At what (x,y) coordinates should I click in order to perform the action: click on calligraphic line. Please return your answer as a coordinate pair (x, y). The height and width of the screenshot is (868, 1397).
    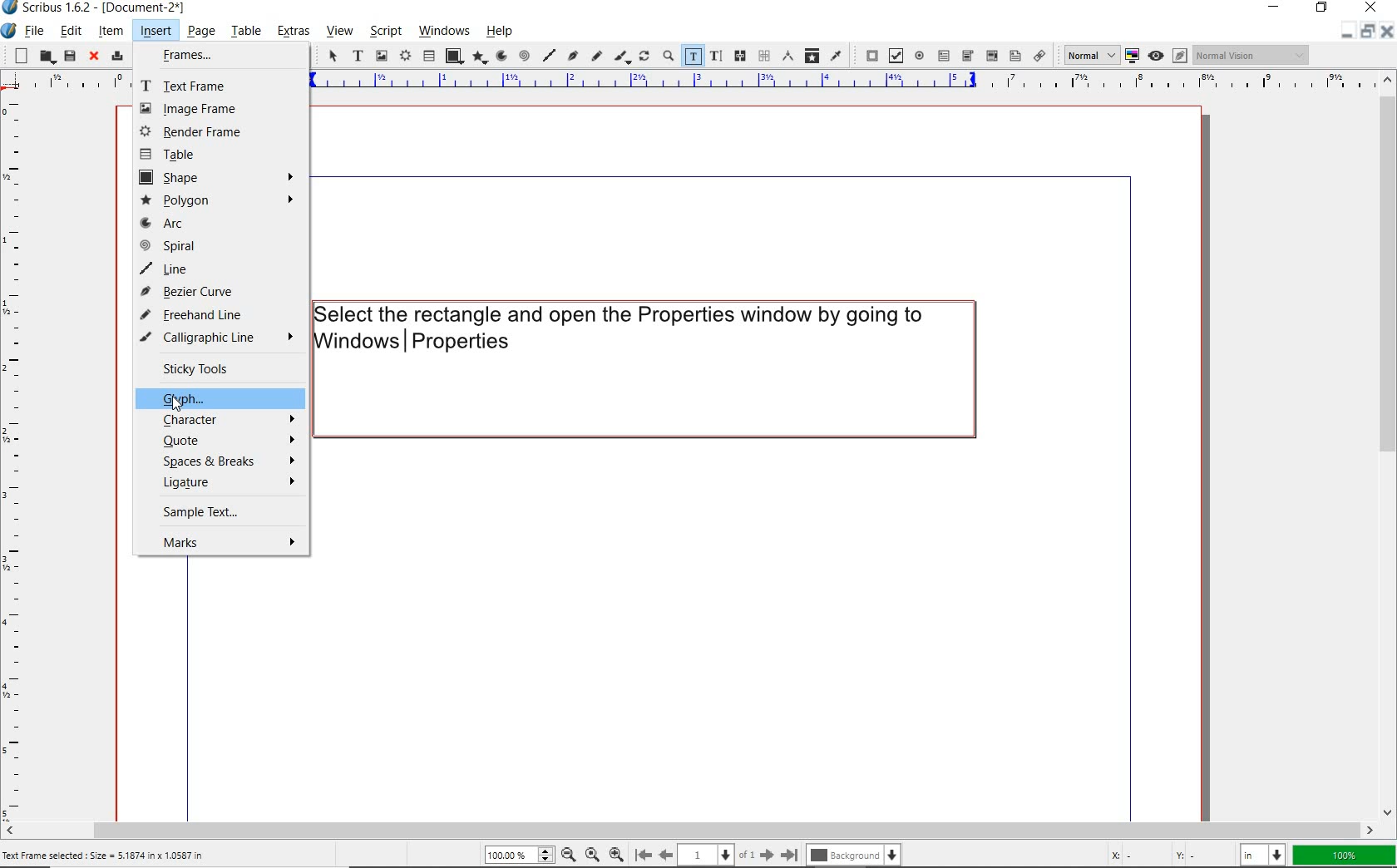
    Looking at the image, I should click on (224, 338).